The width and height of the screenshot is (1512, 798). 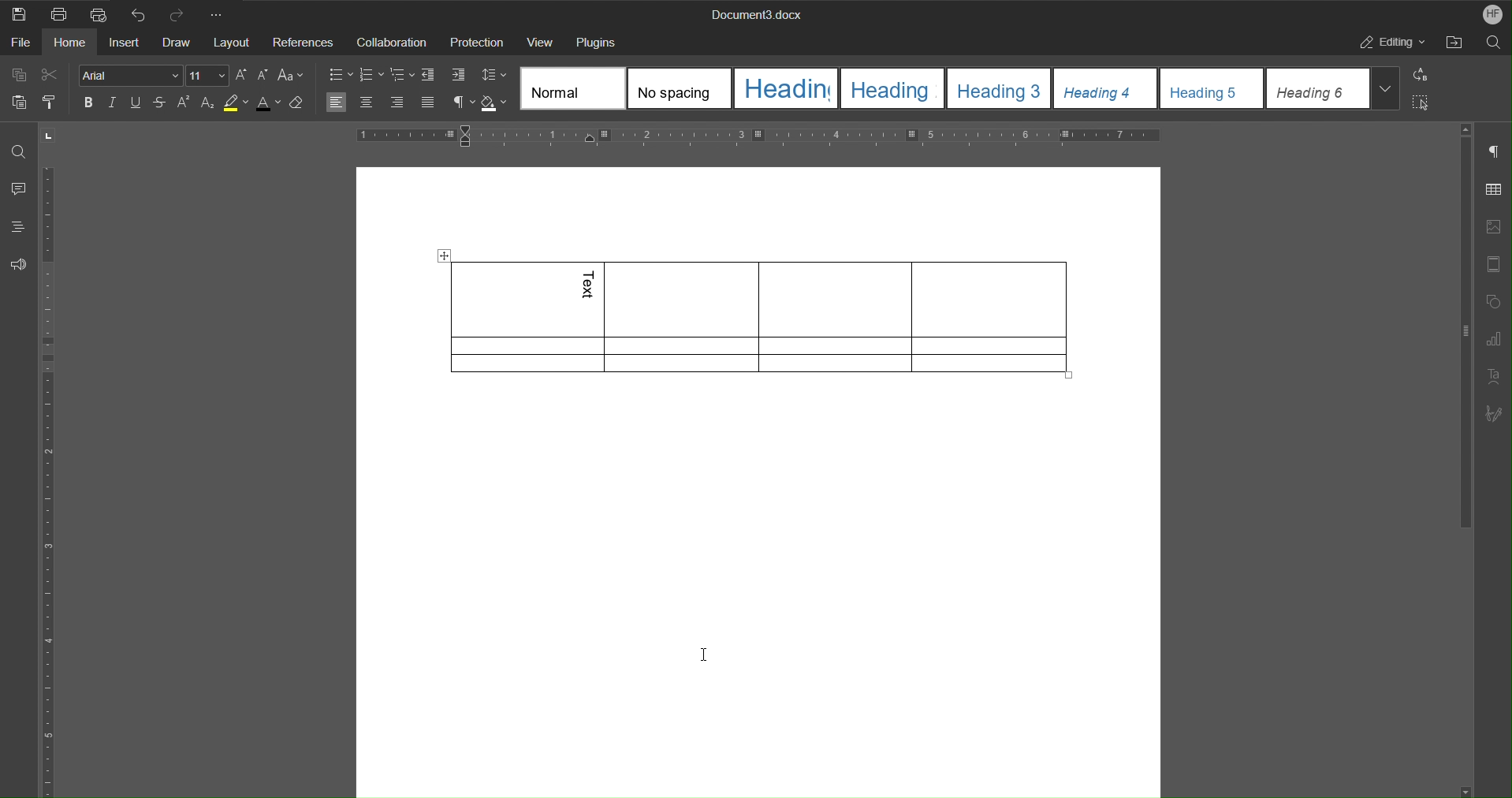 I want to click on Normal, so click(x=572, y=88).